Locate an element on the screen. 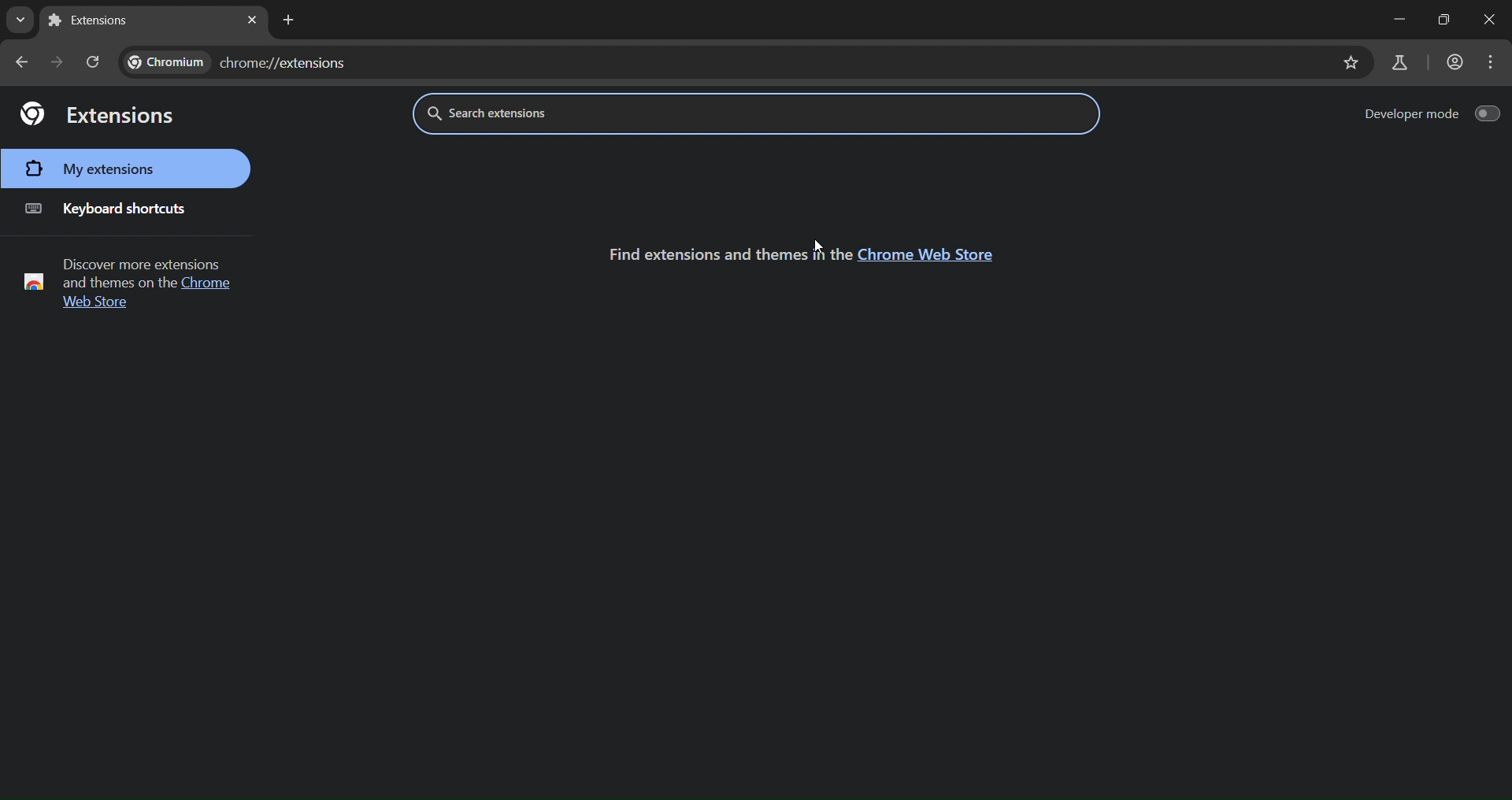 This screenshot has height=800, width=1512. minimize is located at coordinates (1396, 16).